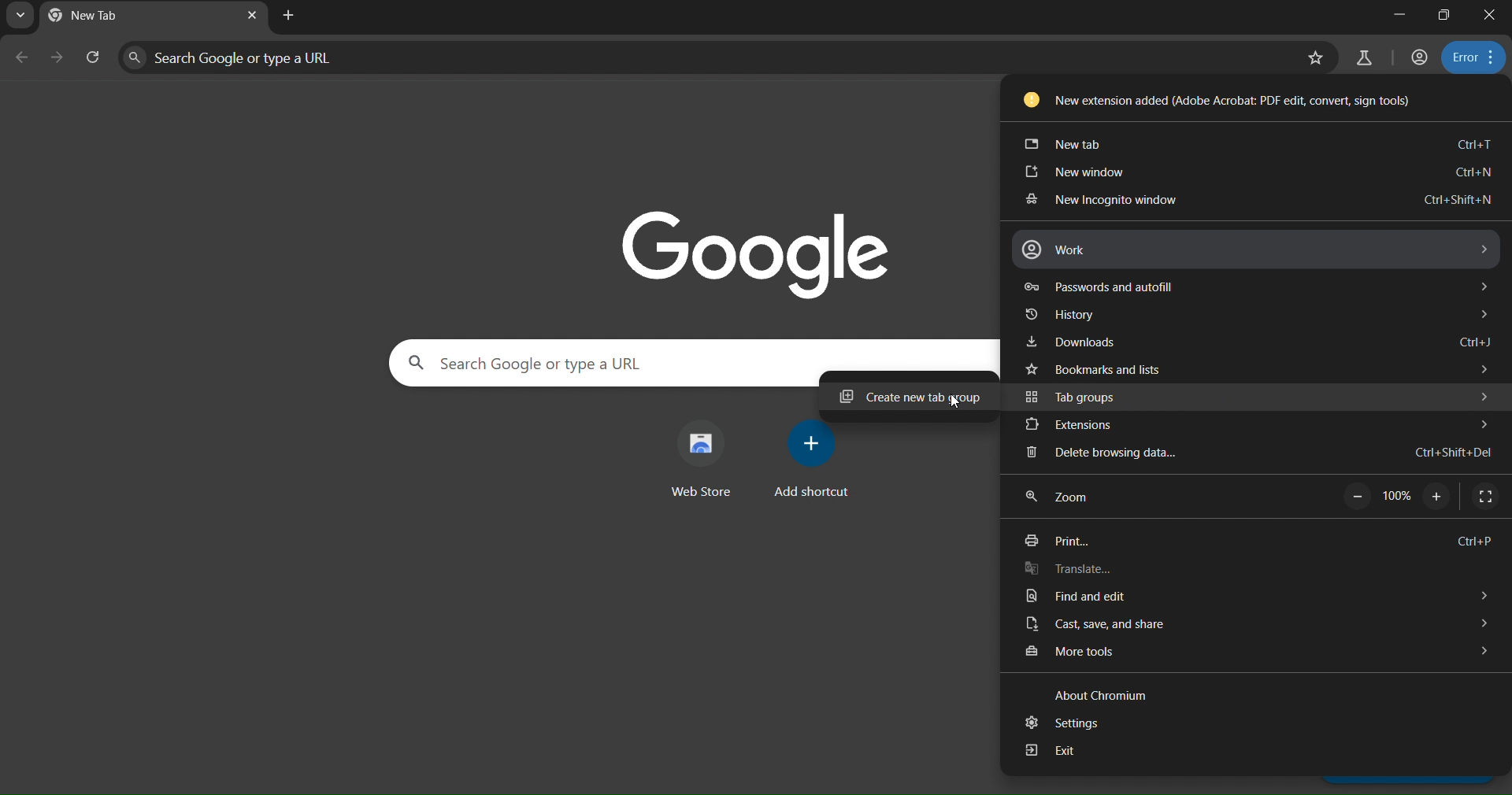 This screenshot has height=795, width=1512. What do you see at coordinates (1262, 140) in the screenshot?
I see `new tab` at bounding box center [1262, 140].